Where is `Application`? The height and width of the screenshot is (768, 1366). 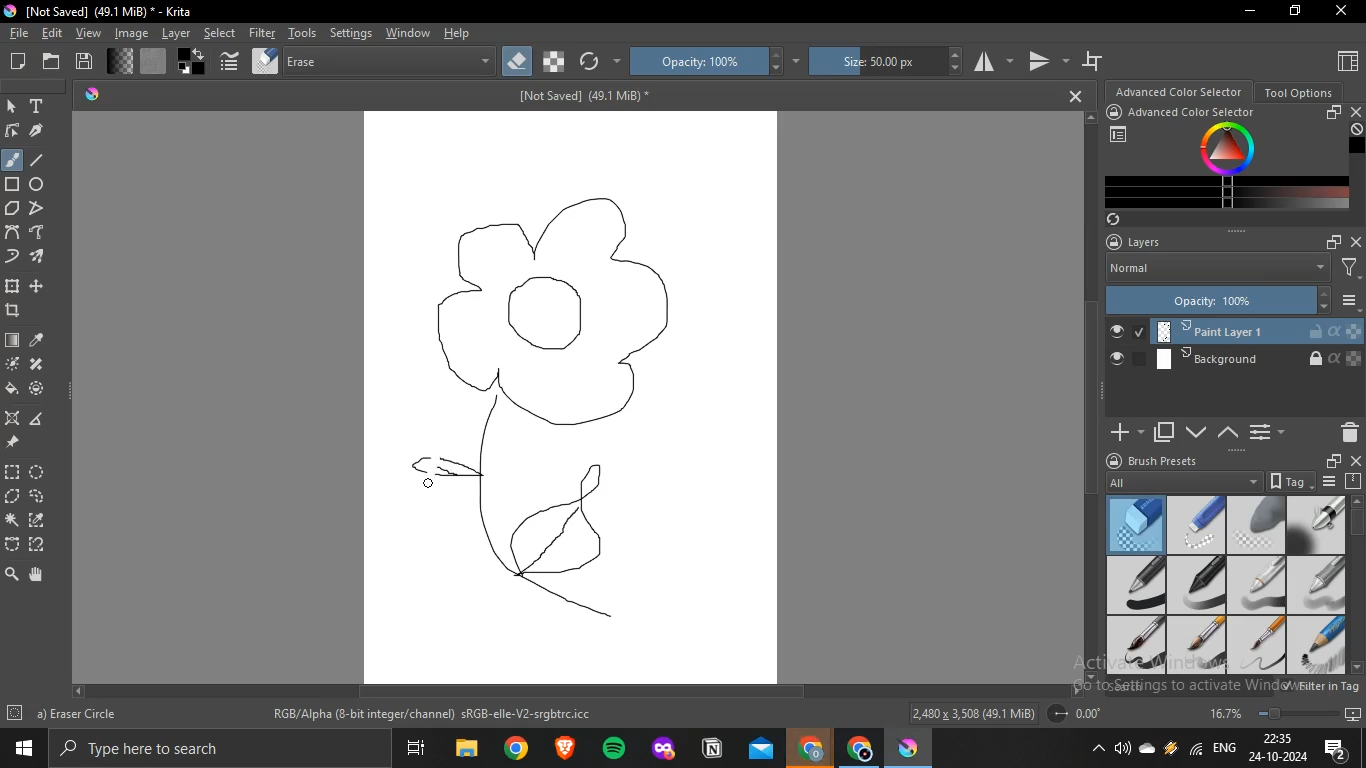
Application is located at coordinates (810, 746).